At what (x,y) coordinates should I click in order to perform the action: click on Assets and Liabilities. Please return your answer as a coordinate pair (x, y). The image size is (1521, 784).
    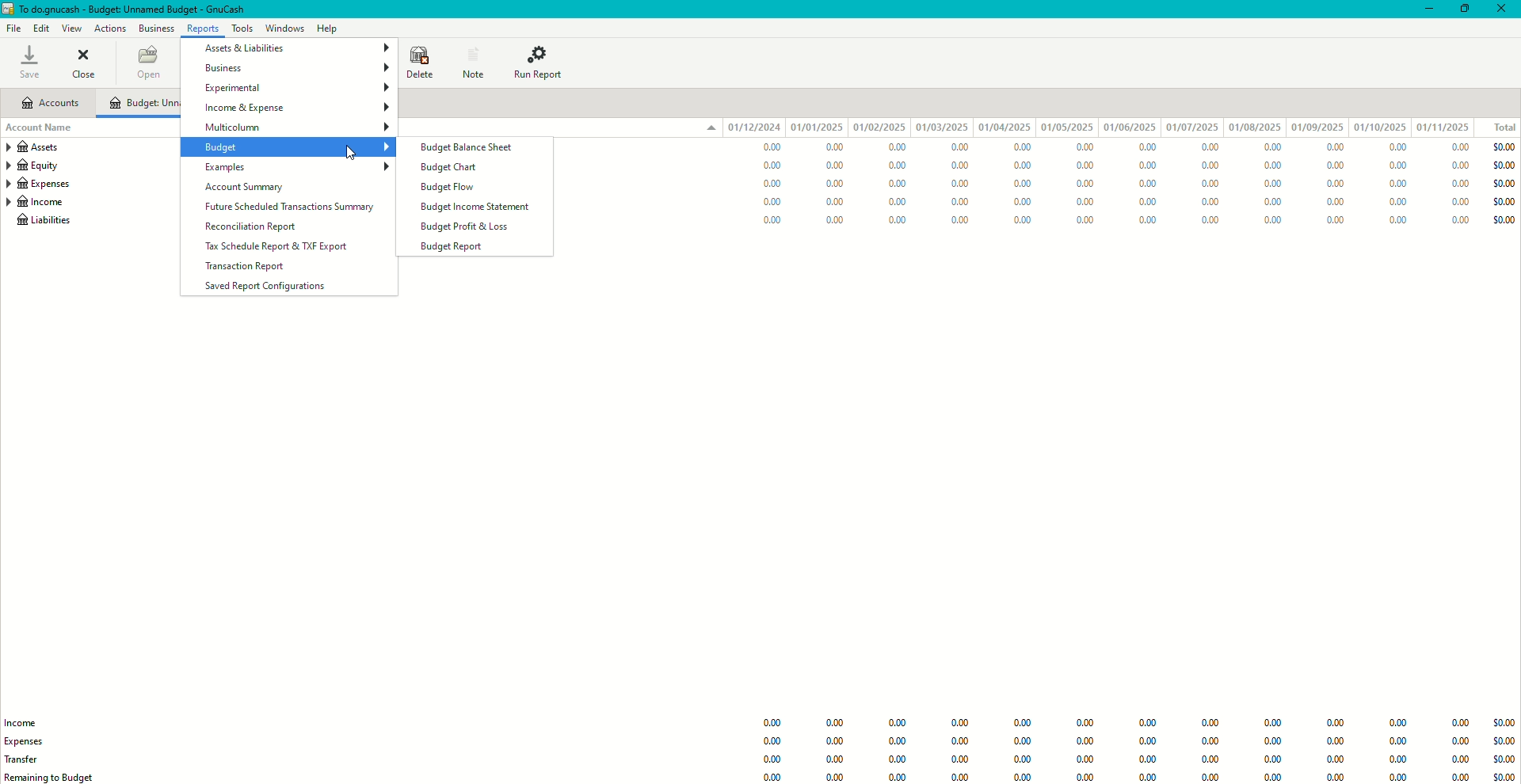
    Looking at the image, I should click on (293, 48).